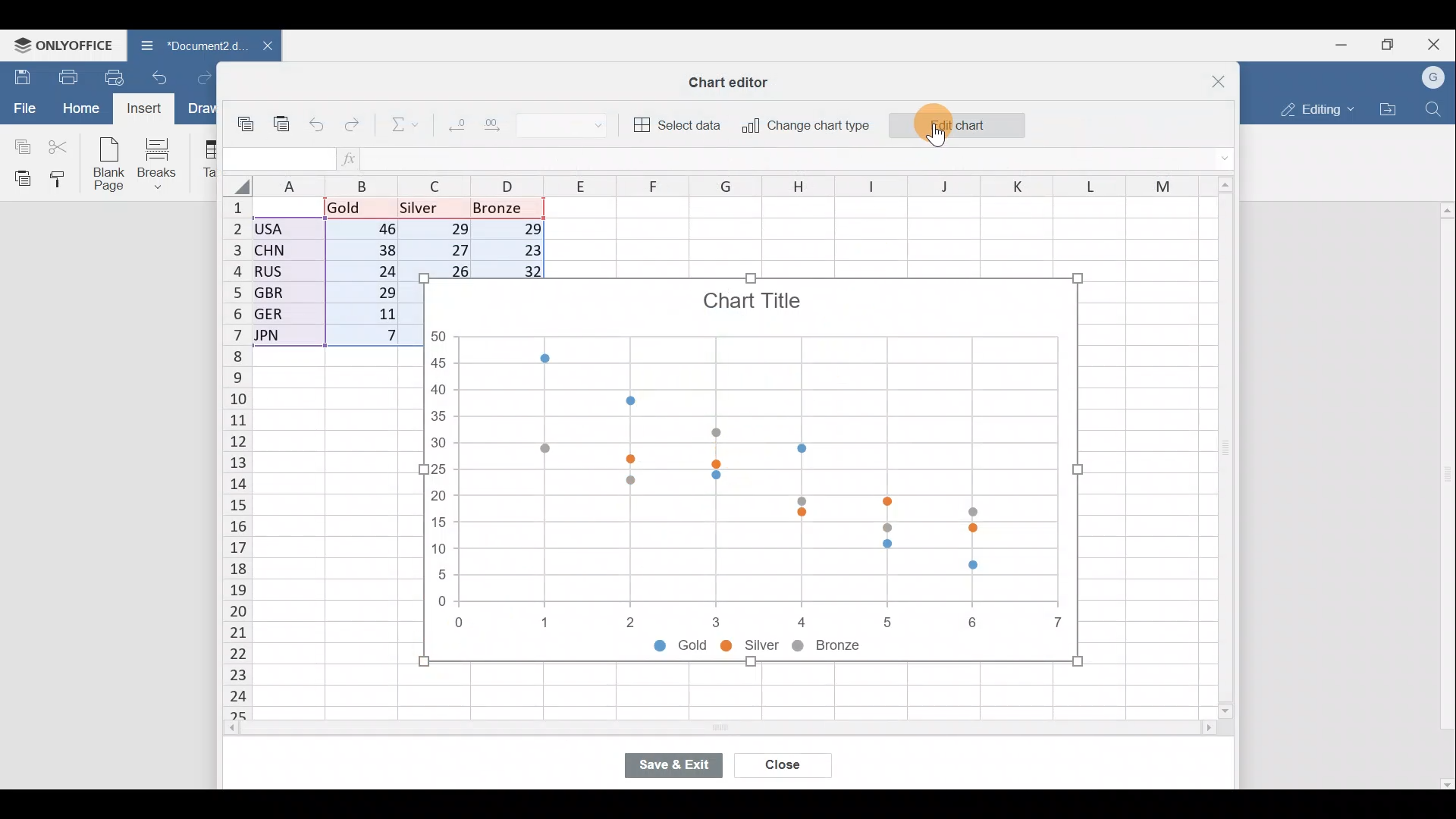  I want to click on Scroll bar, so click(1220, 449).